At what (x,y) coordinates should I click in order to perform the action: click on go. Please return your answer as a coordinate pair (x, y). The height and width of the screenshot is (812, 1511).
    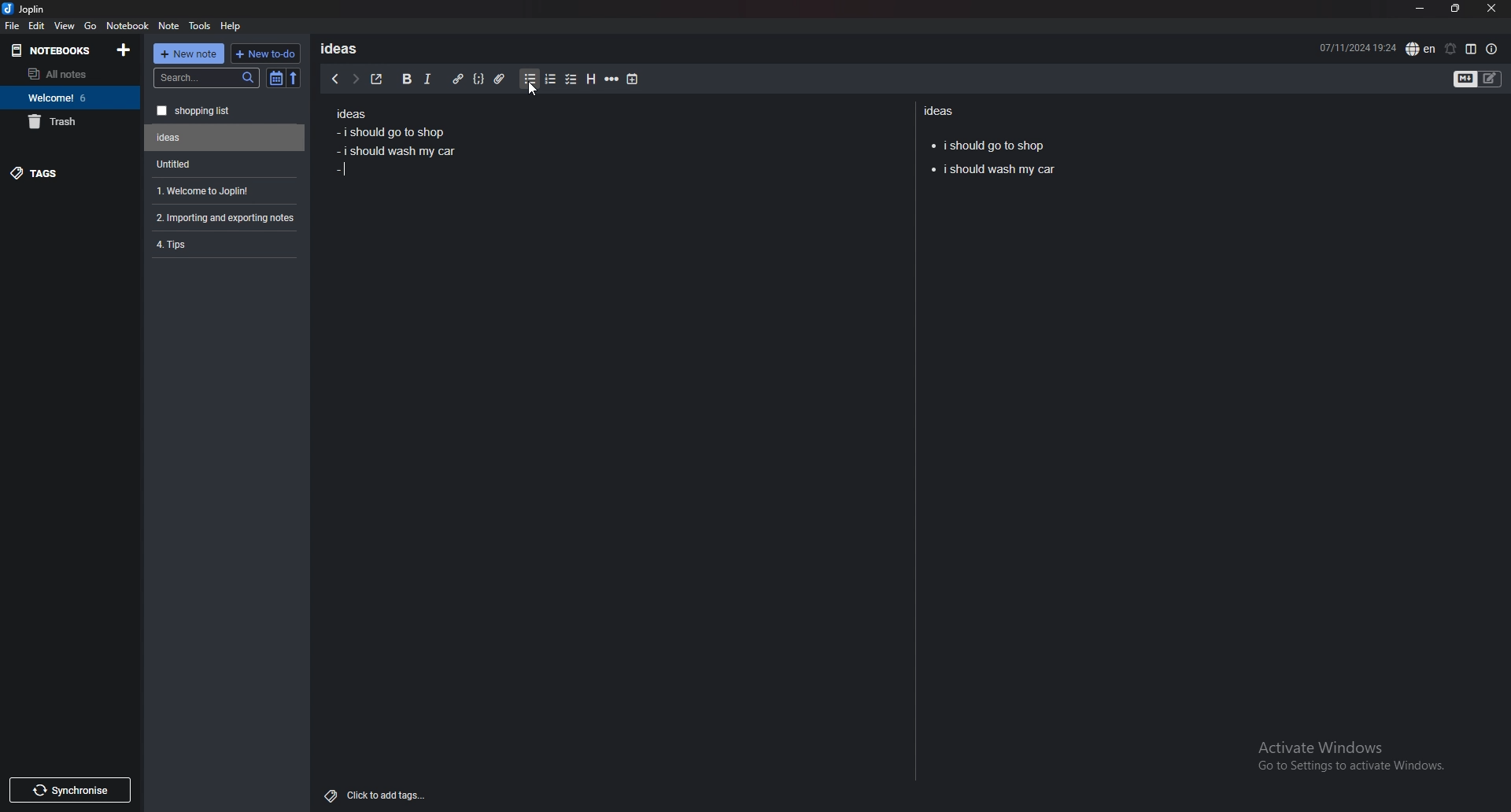
    Looking at the image, I should click on (91, 24).